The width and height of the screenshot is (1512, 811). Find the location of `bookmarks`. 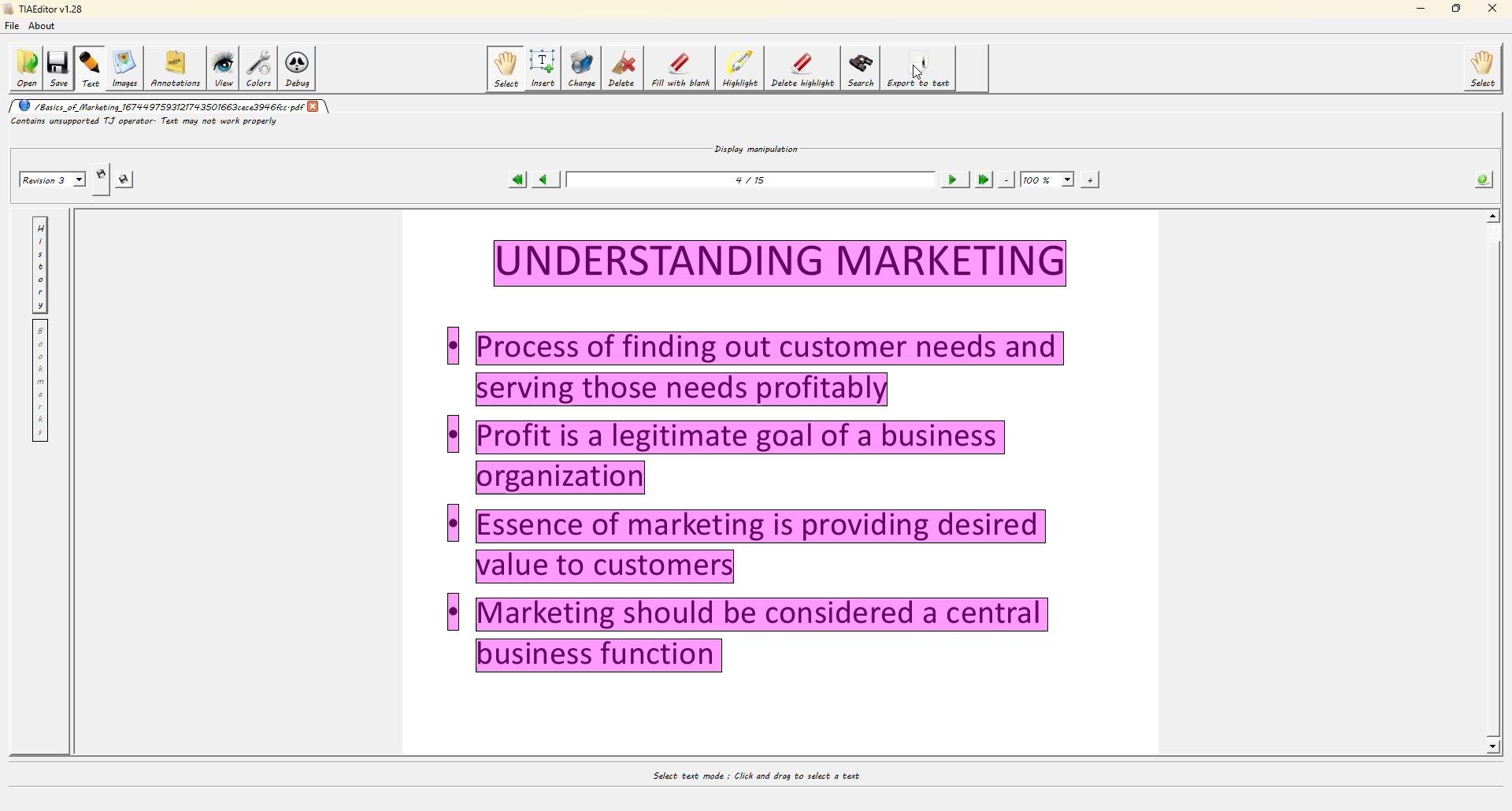

bookmarks is located at coordinates (39, 380).